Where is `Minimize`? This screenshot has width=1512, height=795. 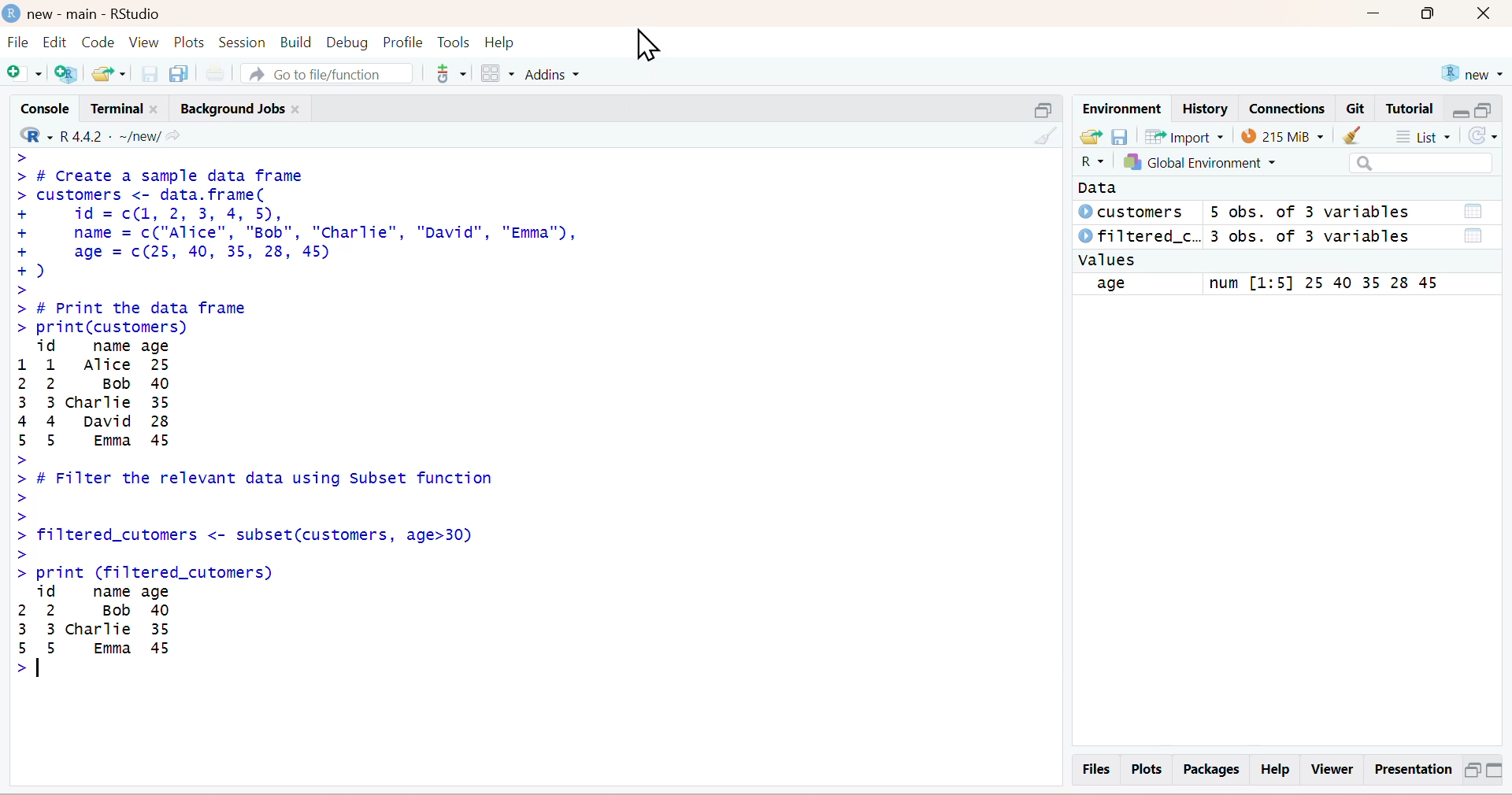 Minimize is located at coordinates (1376, 17).